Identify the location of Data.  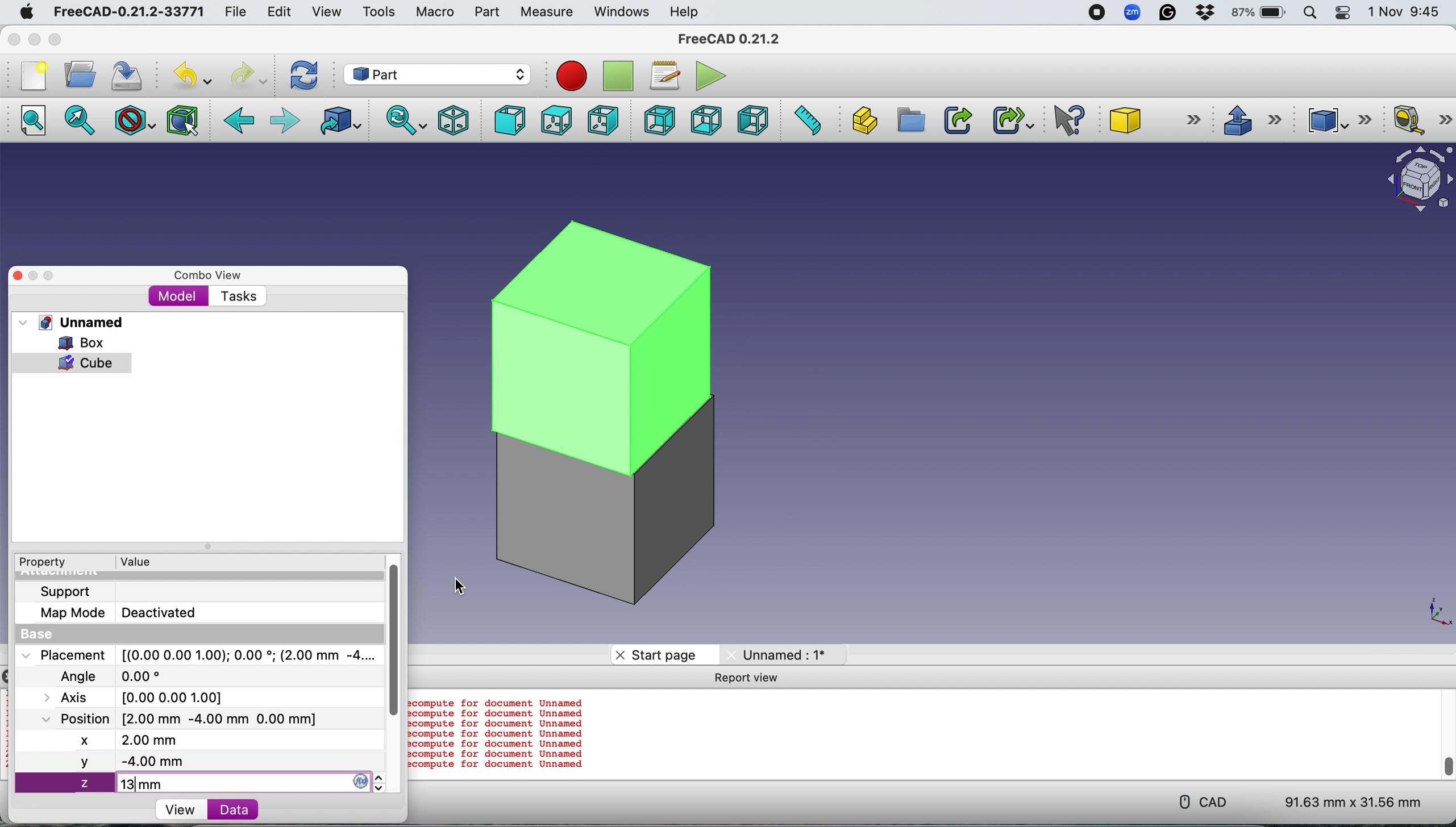
(260, 811).